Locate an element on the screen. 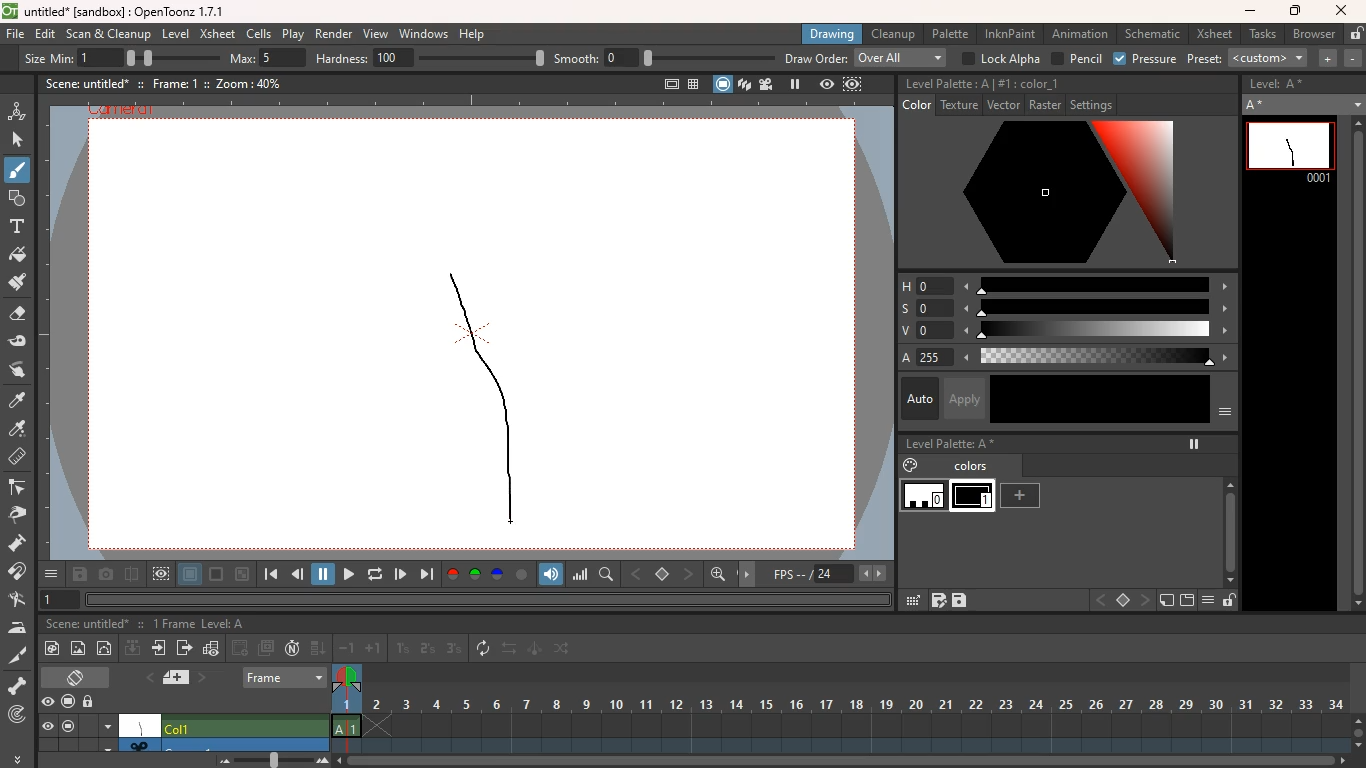  scene: untitled is located at coordinates (84, 625).